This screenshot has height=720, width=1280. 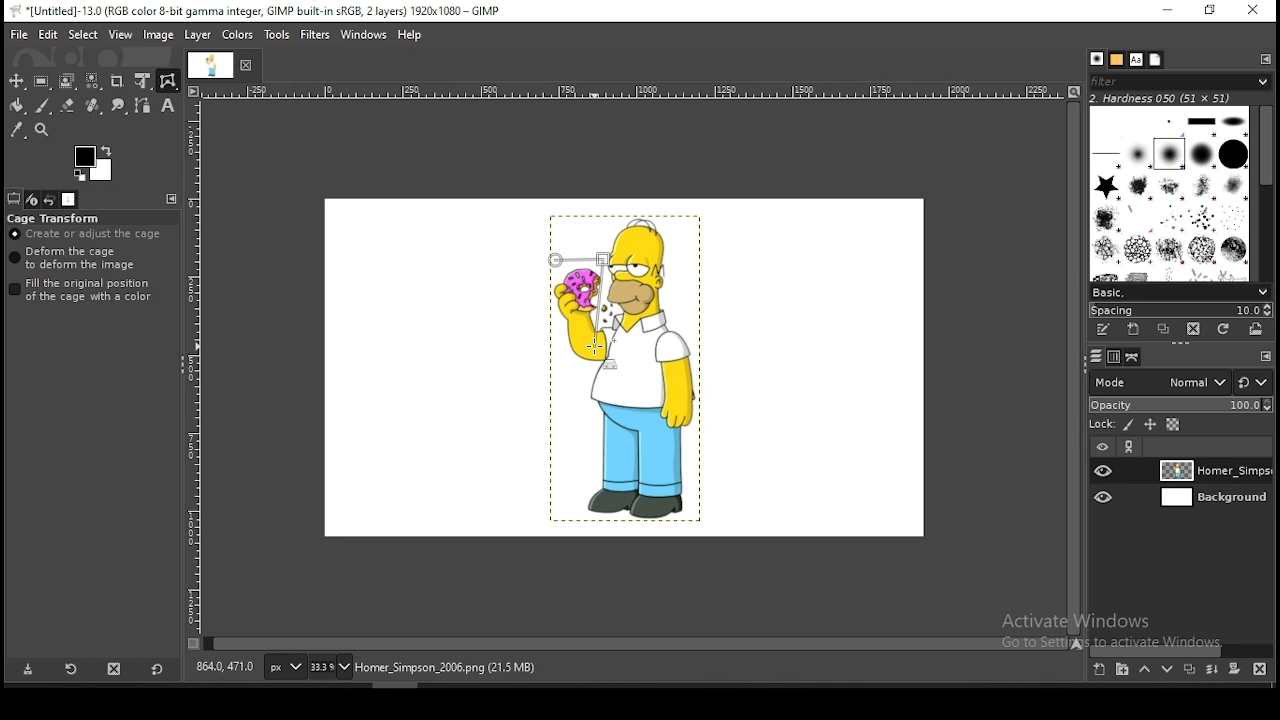 What do you see at coordinates (41, 129) in the screenshot?
I see `zoom tool` at bounding box center [41, 129].